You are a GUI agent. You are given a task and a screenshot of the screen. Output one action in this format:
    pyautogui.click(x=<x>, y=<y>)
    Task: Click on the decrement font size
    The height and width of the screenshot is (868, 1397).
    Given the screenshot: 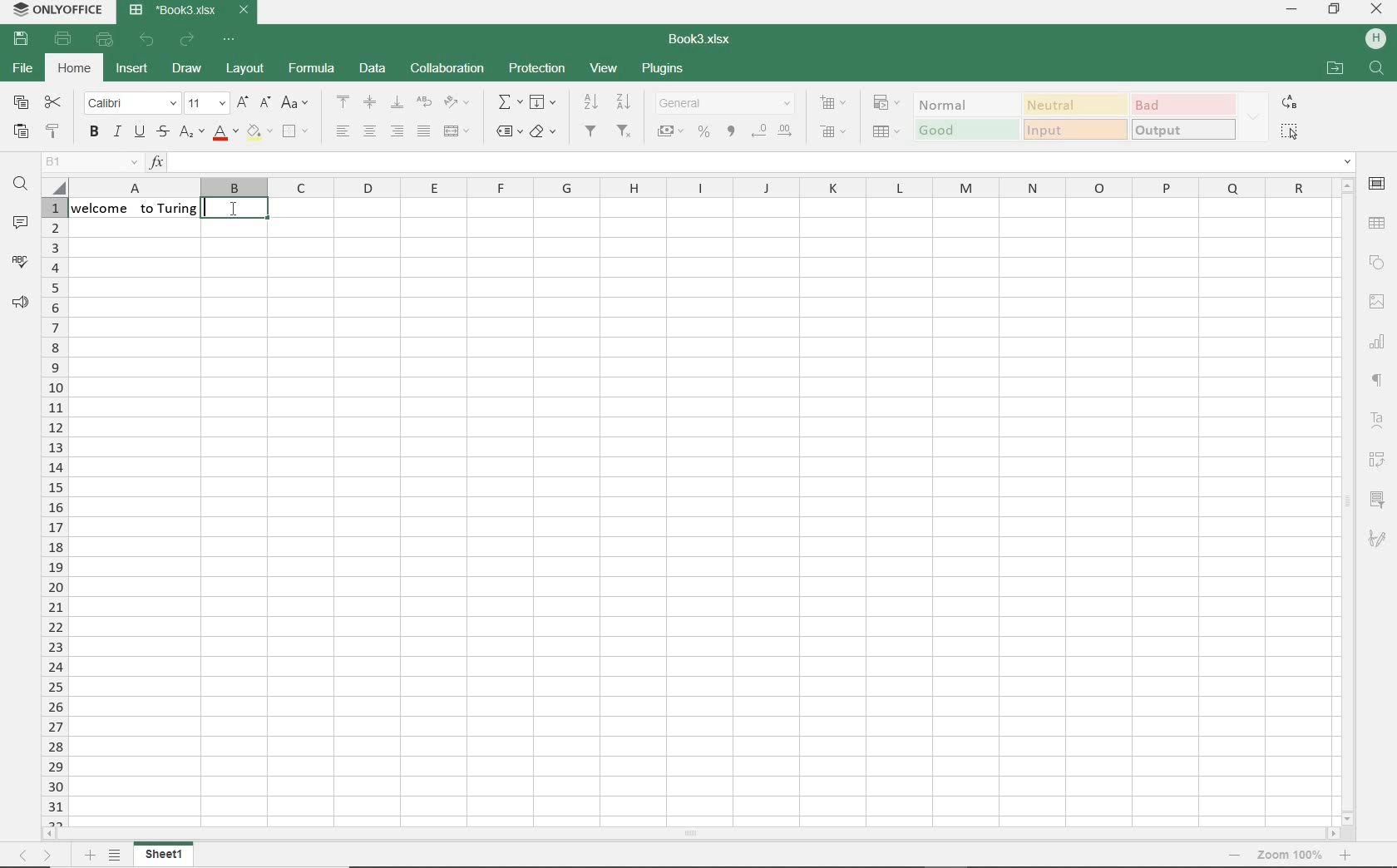 What is the action you would take?
    pyautogui.click(x=264, y=102)
    